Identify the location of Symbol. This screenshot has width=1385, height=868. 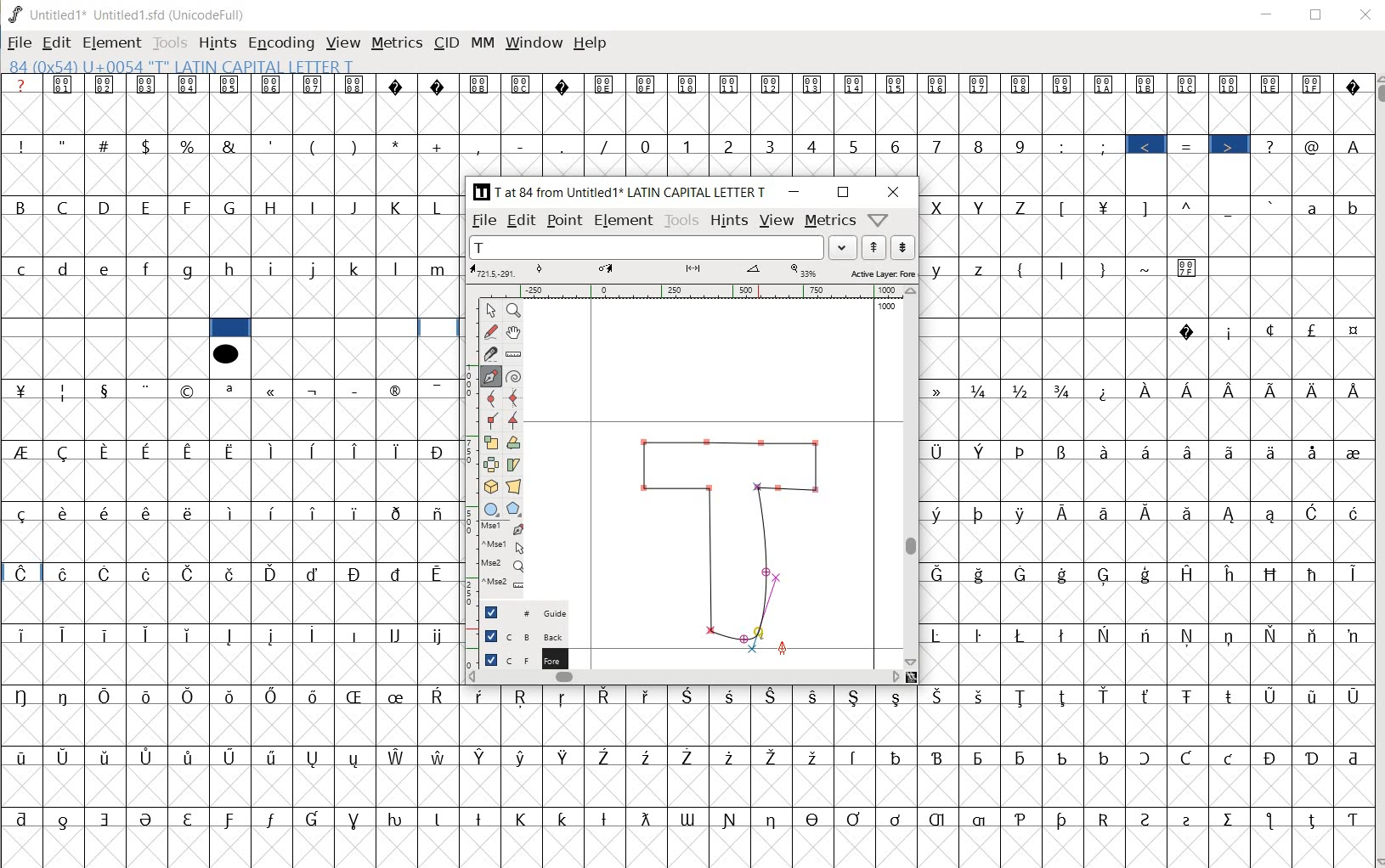
(1352, 332).